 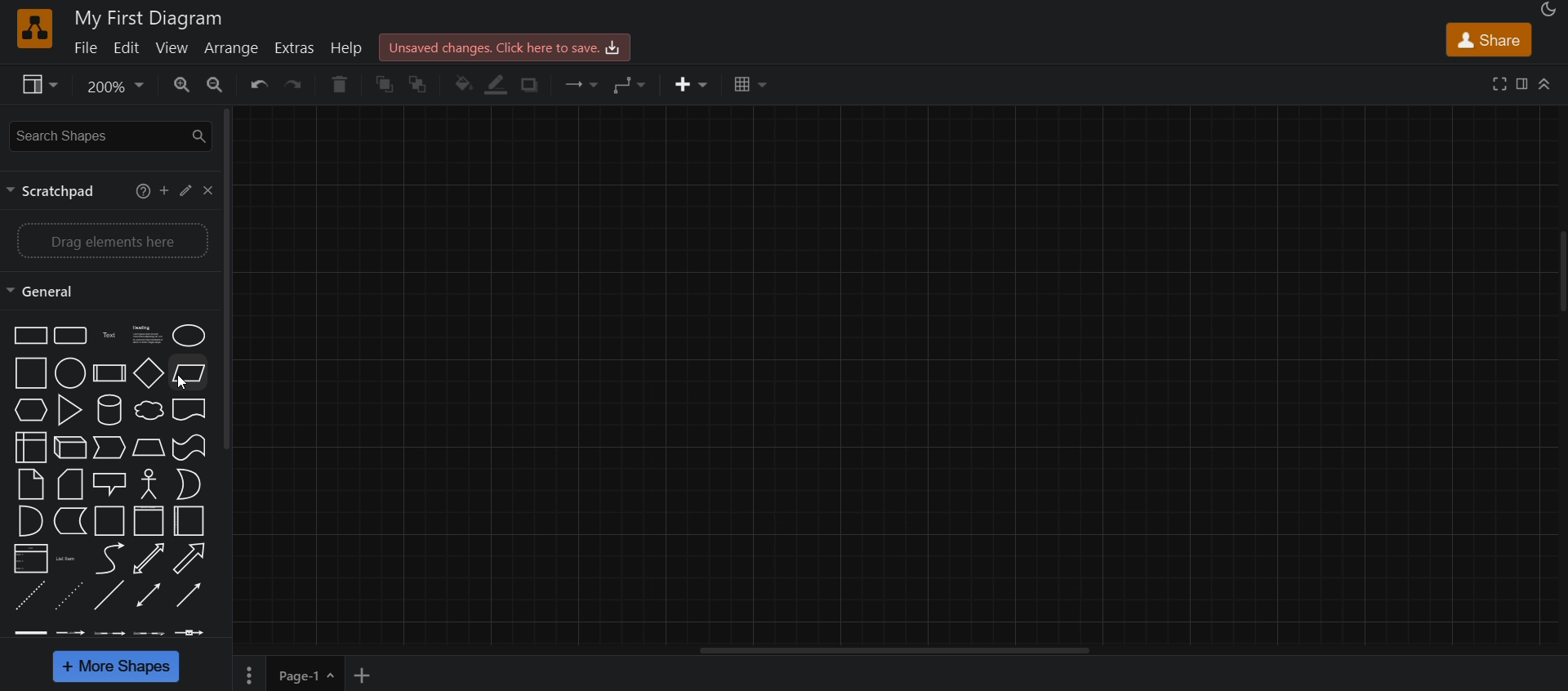 What do you see at coordinates (171, 47) in the screenshot?
I see `view` at bounding box center [171, 47].